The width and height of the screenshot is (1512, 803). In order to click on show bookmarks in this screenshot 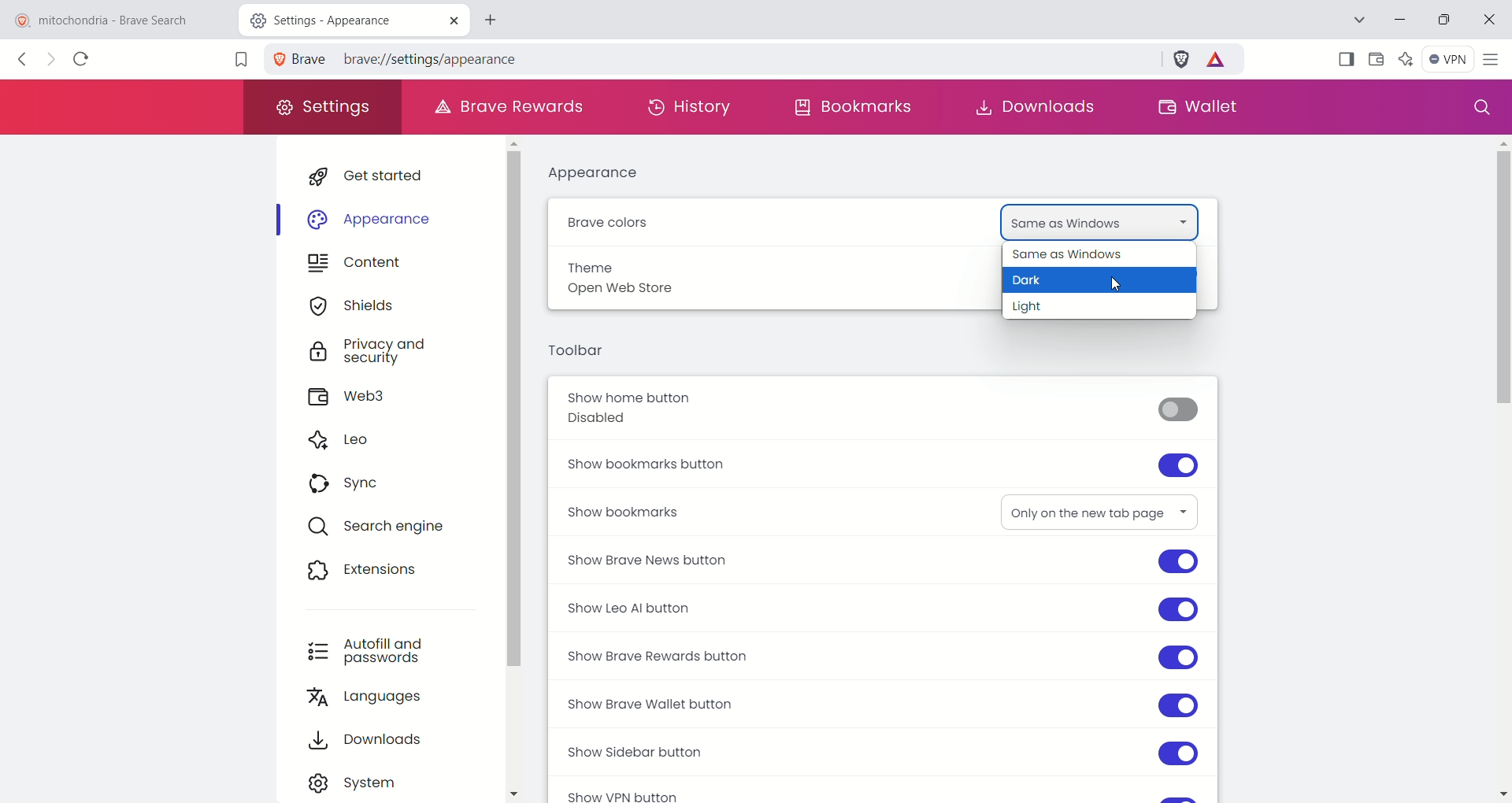, I will do `click(637, 515)`.